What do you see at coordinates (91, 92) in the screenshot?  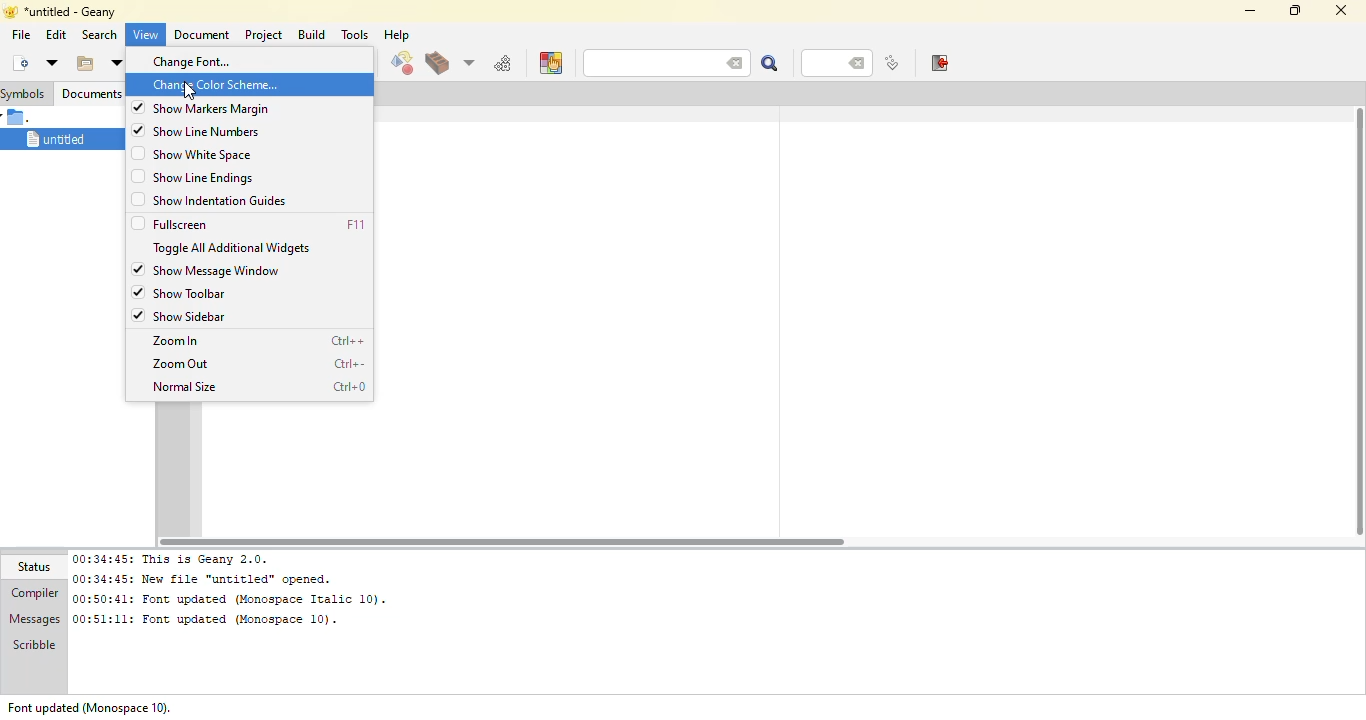 I see `documents` at bounding box center [91, 92].